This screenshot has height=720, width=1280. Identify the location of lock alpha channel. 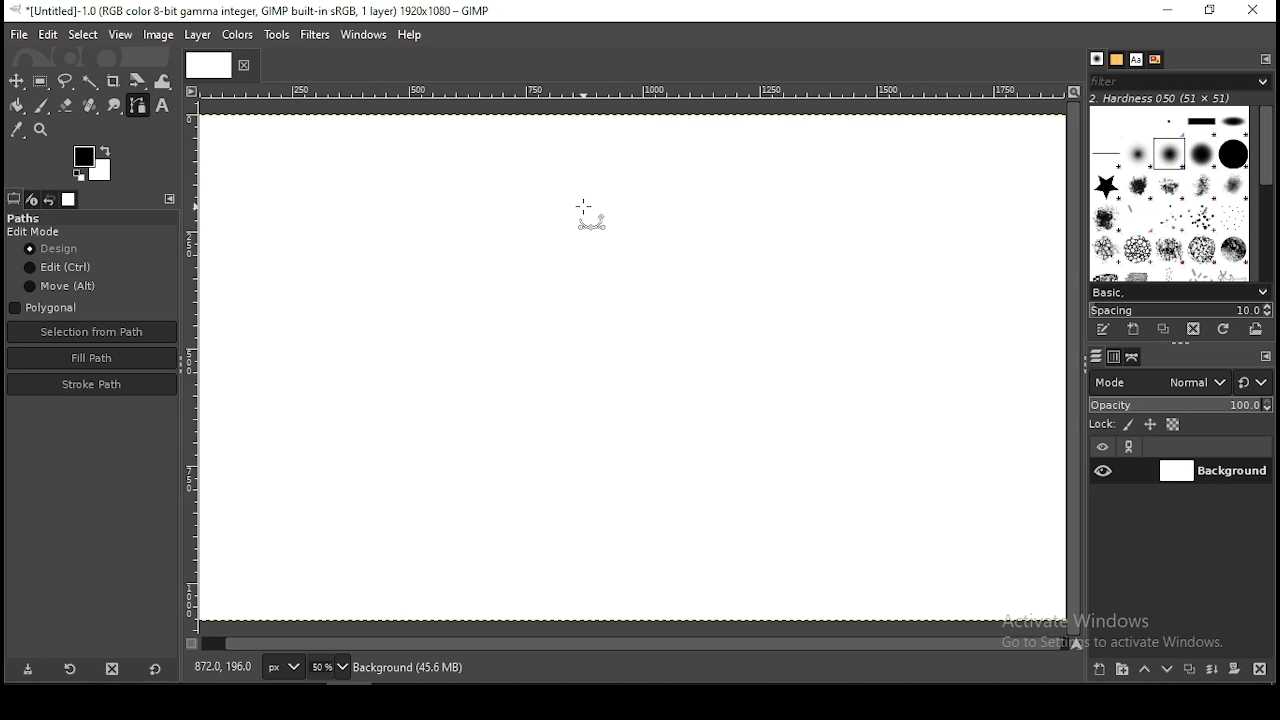
(1174, 424).